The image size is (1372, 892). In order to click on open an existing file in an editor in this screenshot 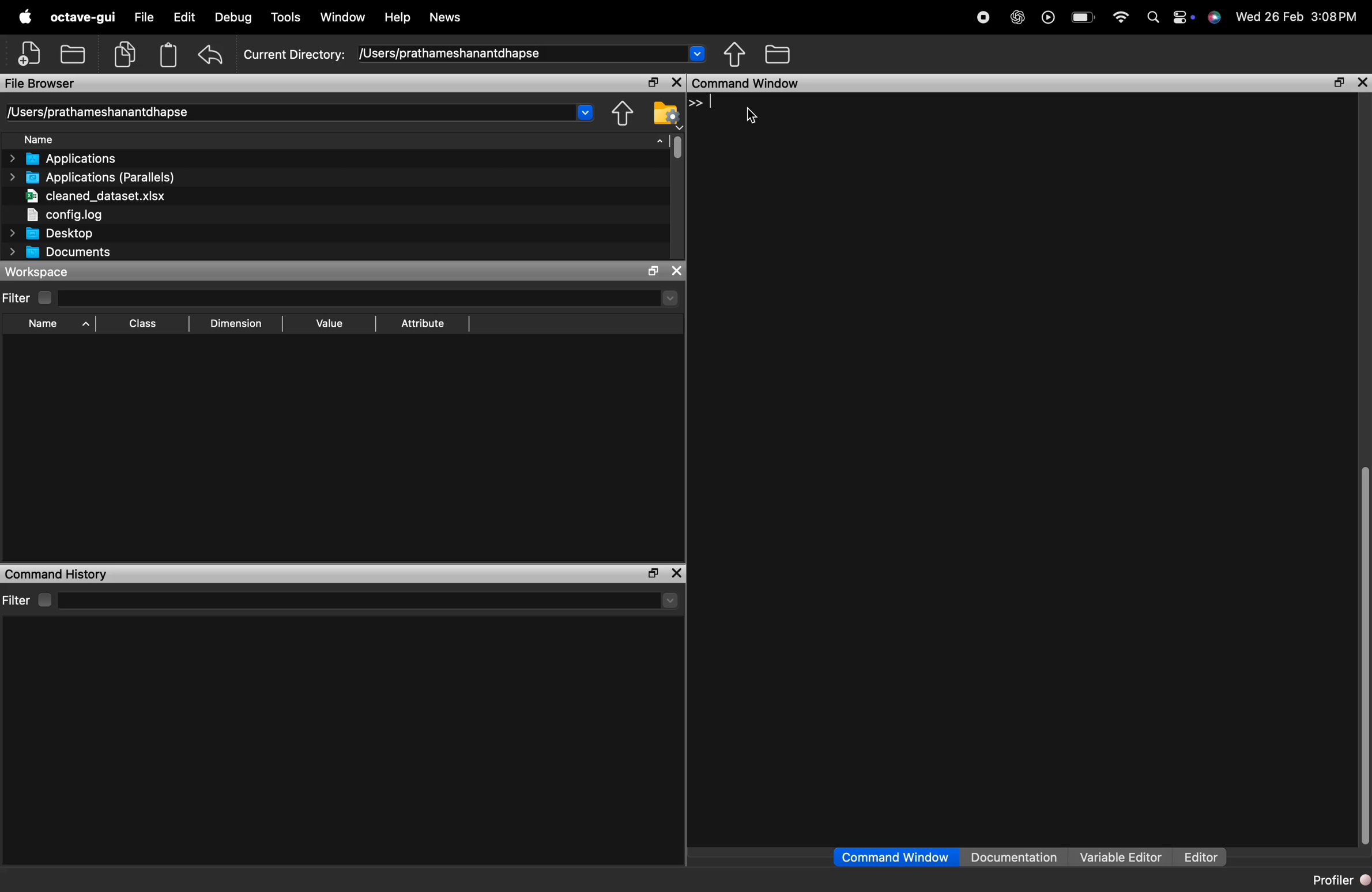, I will do `click(74, 52)`.